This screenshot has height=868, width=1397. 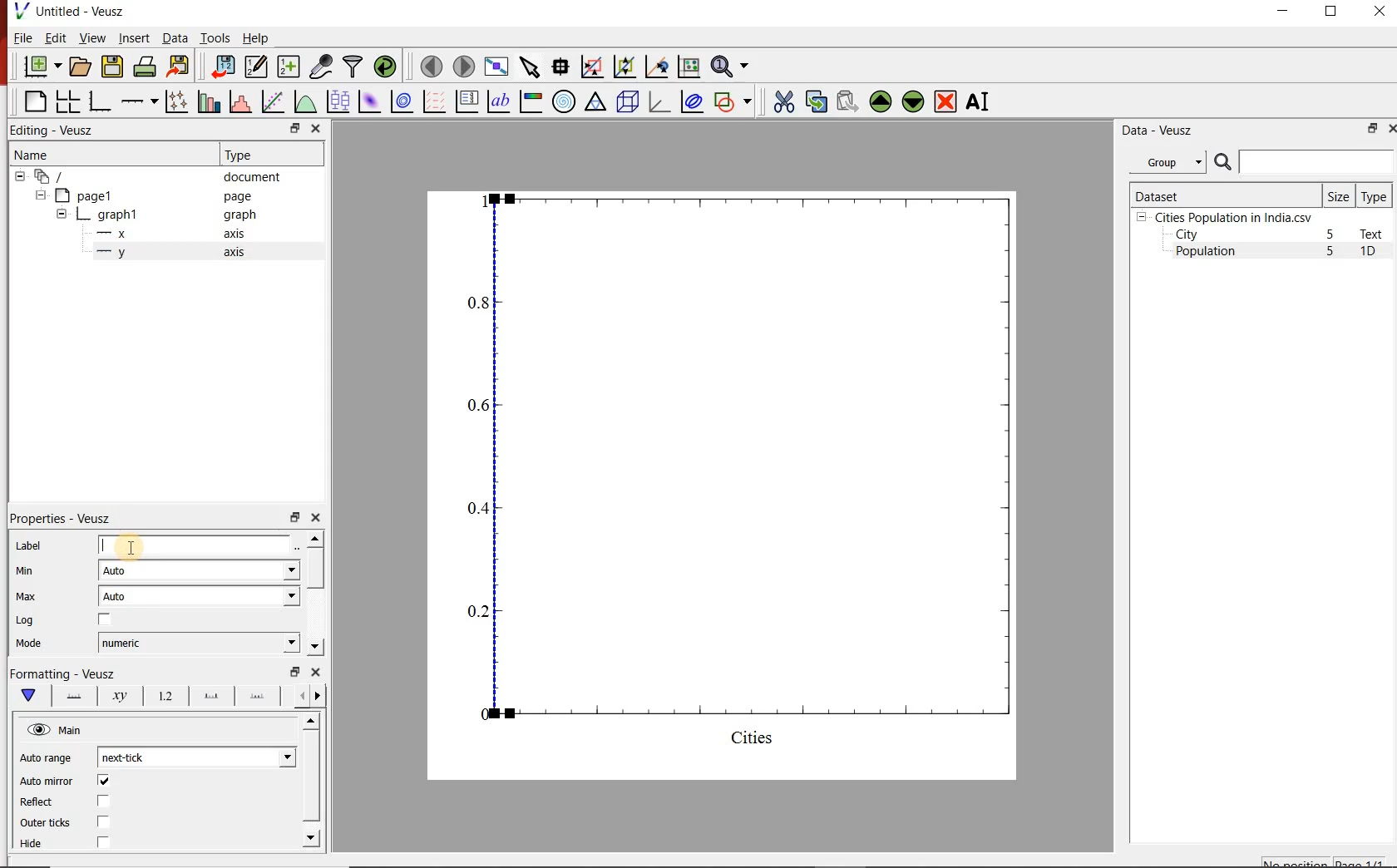 I want to click on image color bar, so click(x=531, y=101).